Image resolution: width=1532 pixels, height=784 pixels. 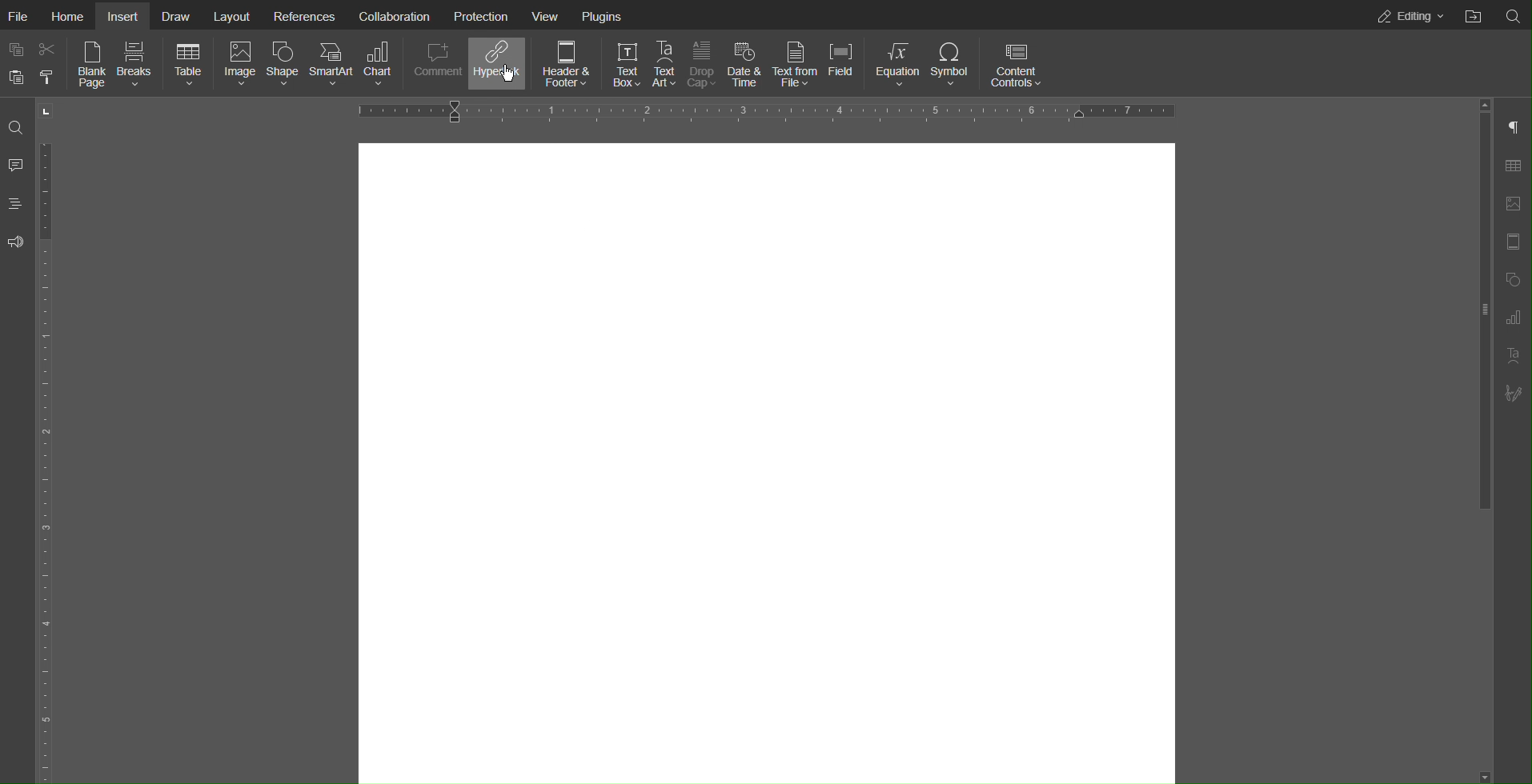 I want to click on Date & Time, so click(x=750, y=66).